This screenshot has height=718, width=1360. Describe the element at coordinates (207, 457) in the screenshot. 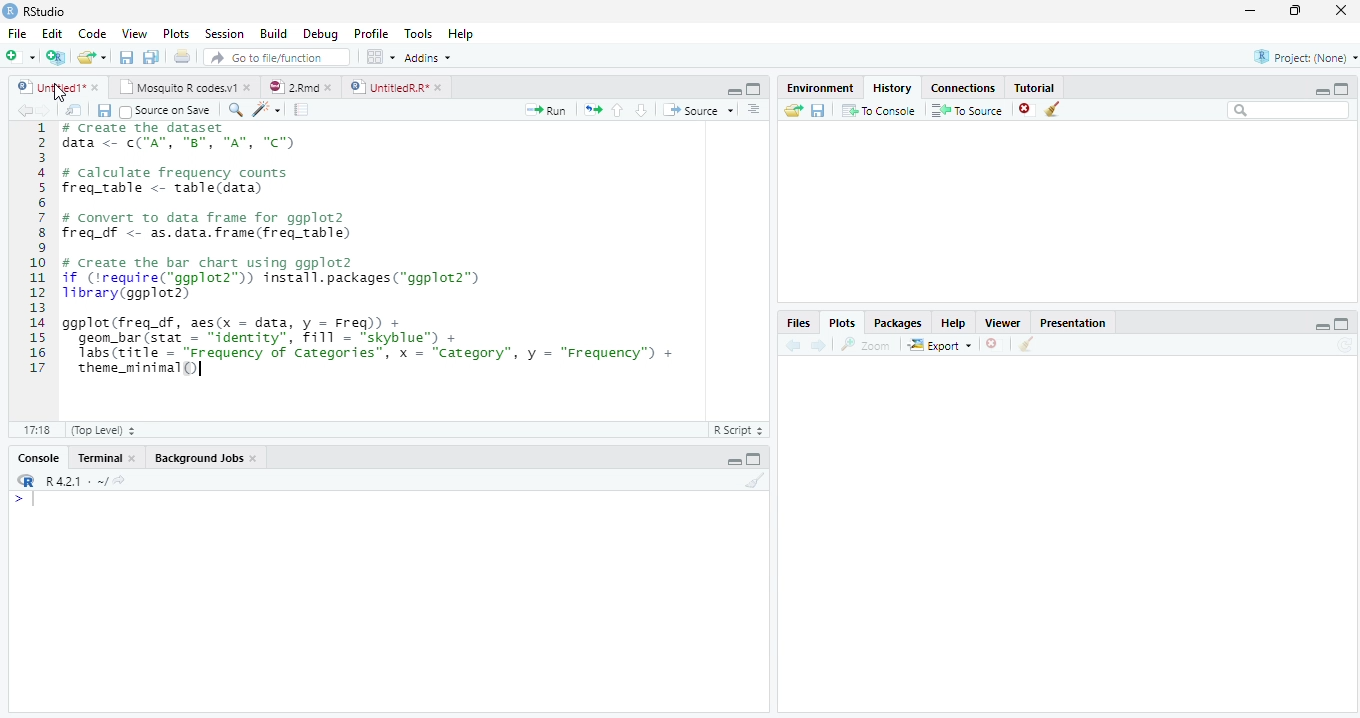

I see `Background Jobs` at that location.